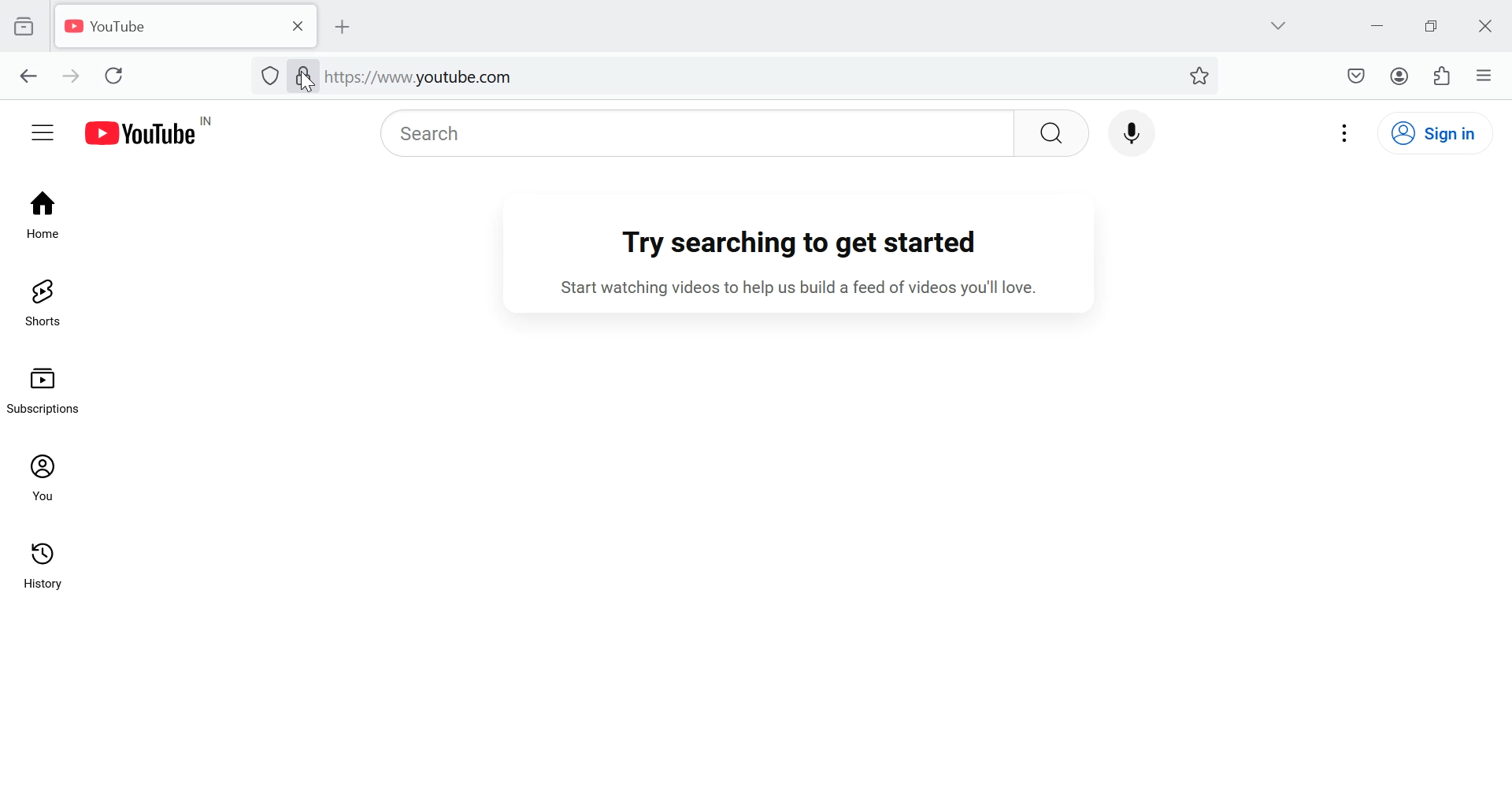 This screenshot has width=1512, height=794. Describe the element at coordinates (1052, 132) in the screenshot. I see `Search button` at that location.